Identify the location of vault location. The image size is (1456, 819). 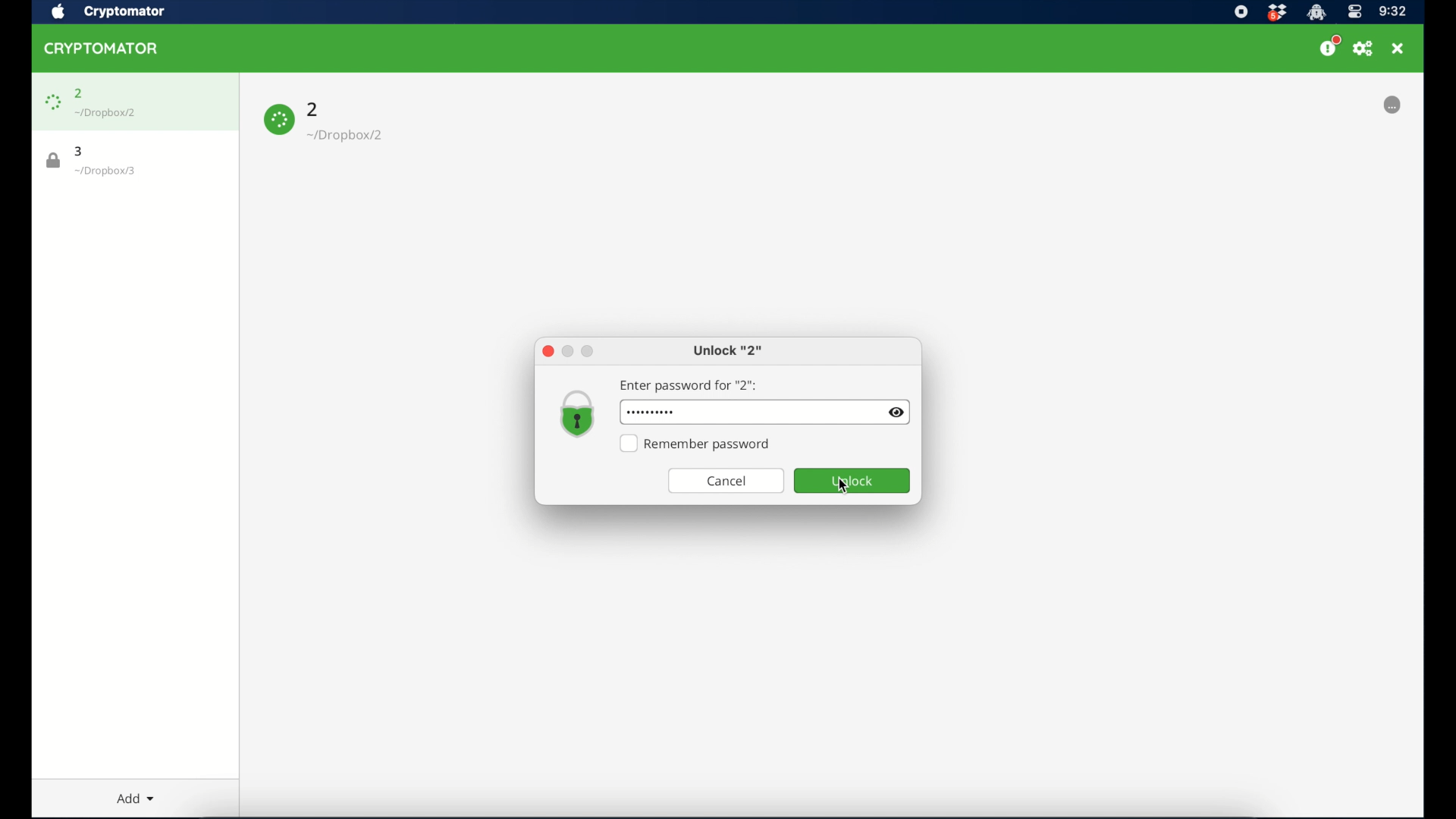
(348, 135).